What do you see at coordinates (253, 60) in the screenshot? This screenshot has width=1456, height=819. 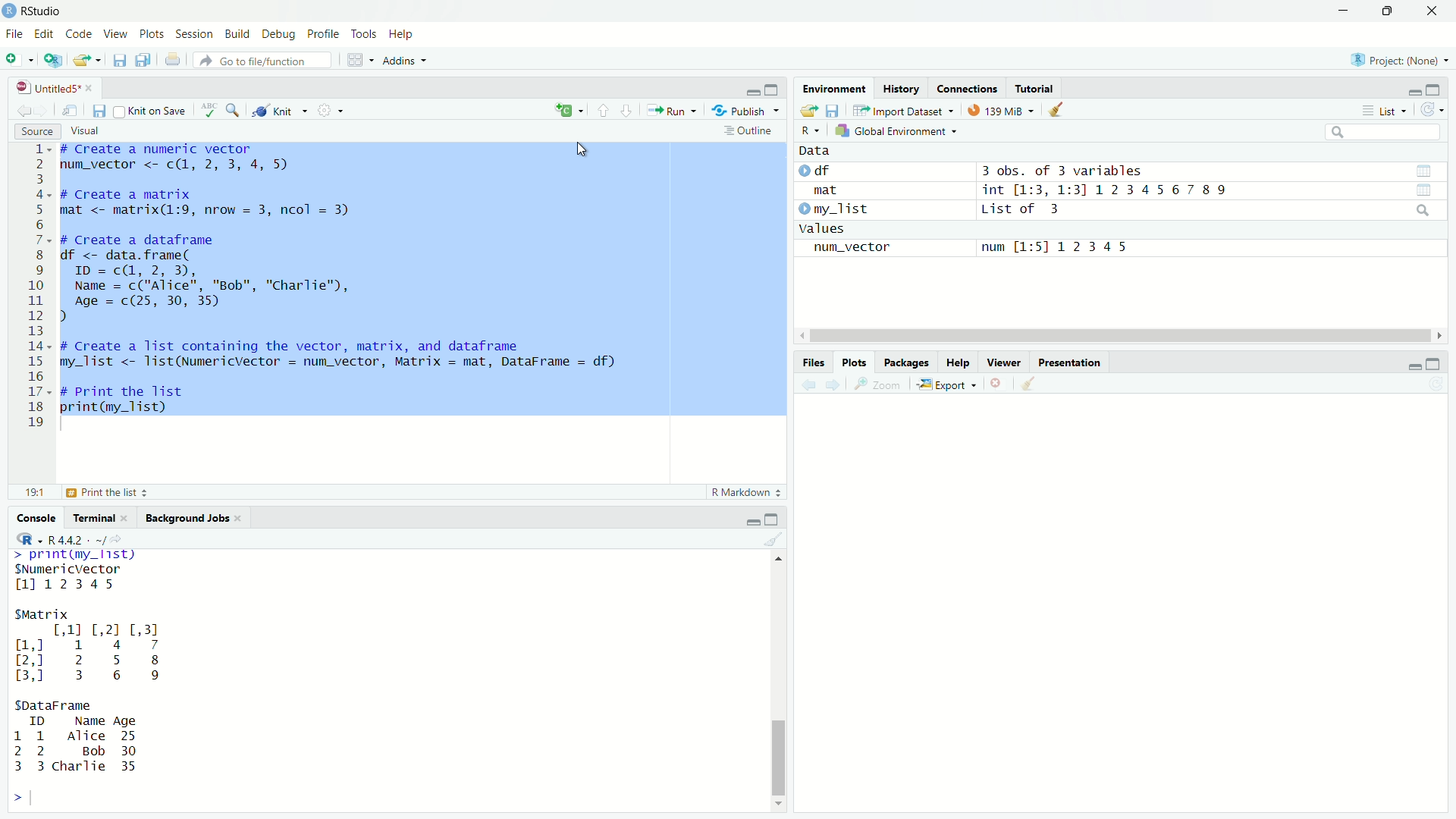 I see `Go to file/function` at bounding box center [253, 60].